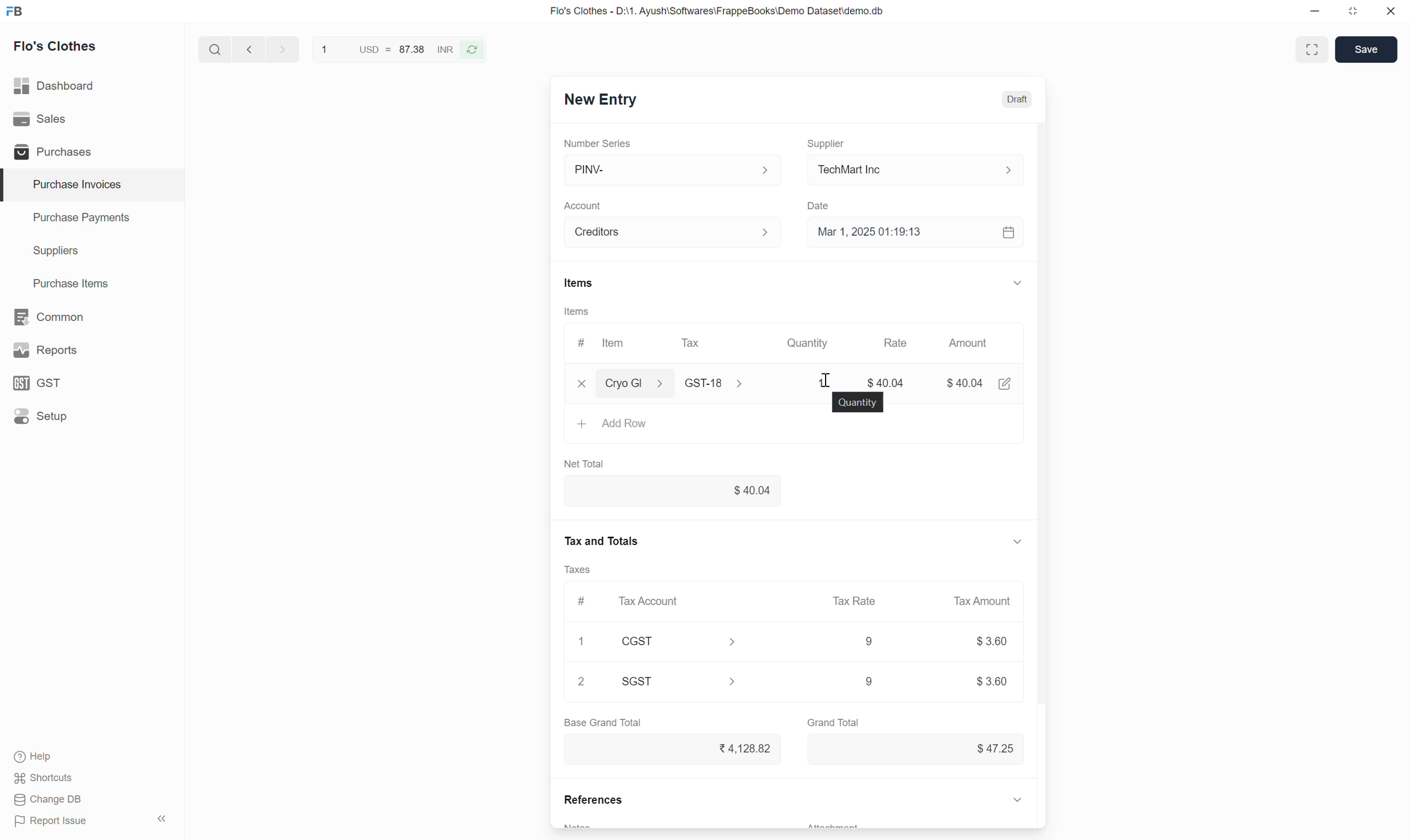  What do you see at coordinates (858, 402) in the screenshot?
I see `Quantity` at bounding box center [858, 402].